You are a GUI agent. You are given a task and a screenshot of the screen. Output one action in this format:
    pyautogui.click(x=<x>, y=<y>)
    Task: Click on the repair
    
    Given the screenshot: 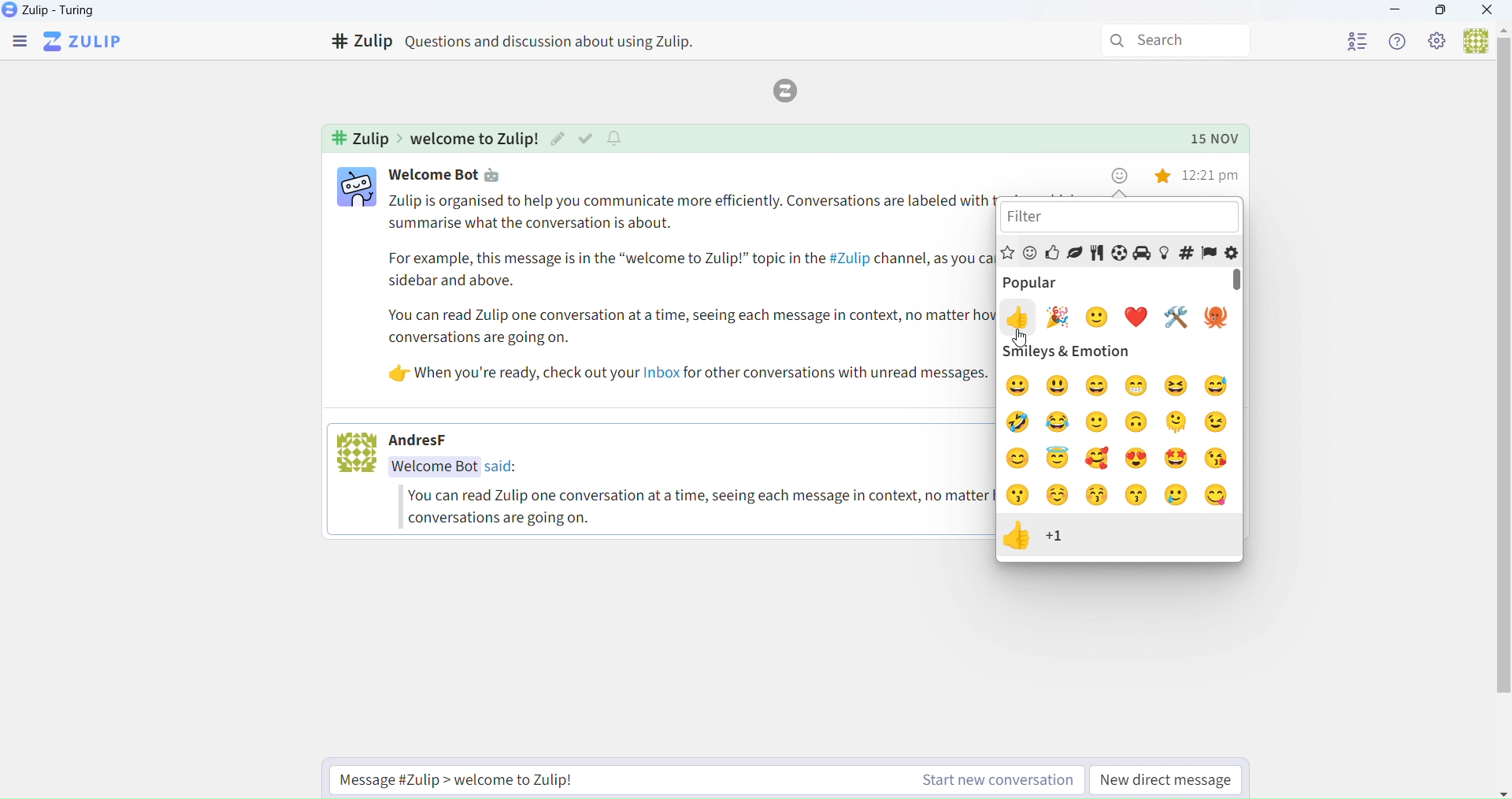 What is the action you would take?
    pyautogui.click(x=1177, y=316)
    